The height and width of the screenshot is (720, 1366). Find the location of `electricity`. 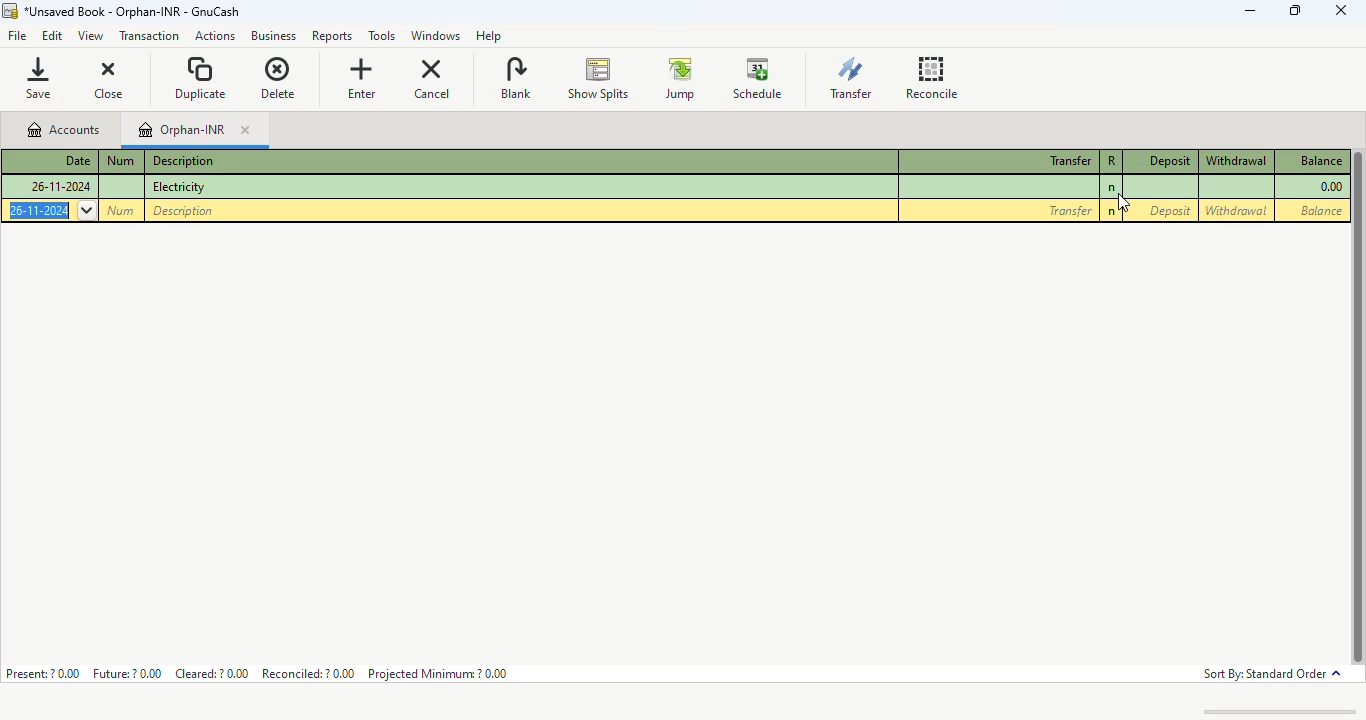

electricity is located at coordinates (178, 187).